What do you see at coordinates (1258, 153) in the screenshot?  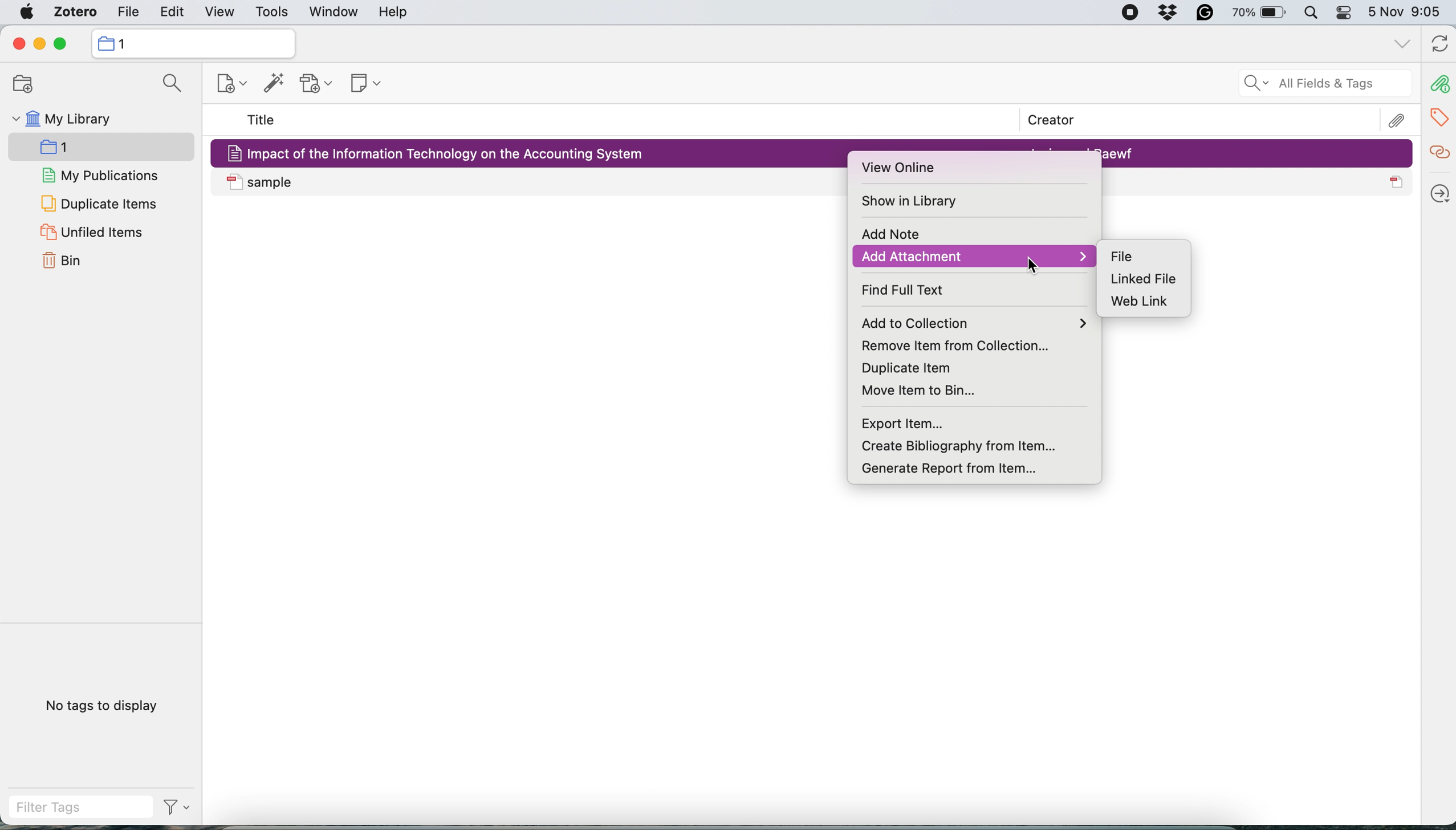 I see `Impact of the Information Technology on the Accounting System  Jasim and Raewf` at bounding box center [1258, 153].